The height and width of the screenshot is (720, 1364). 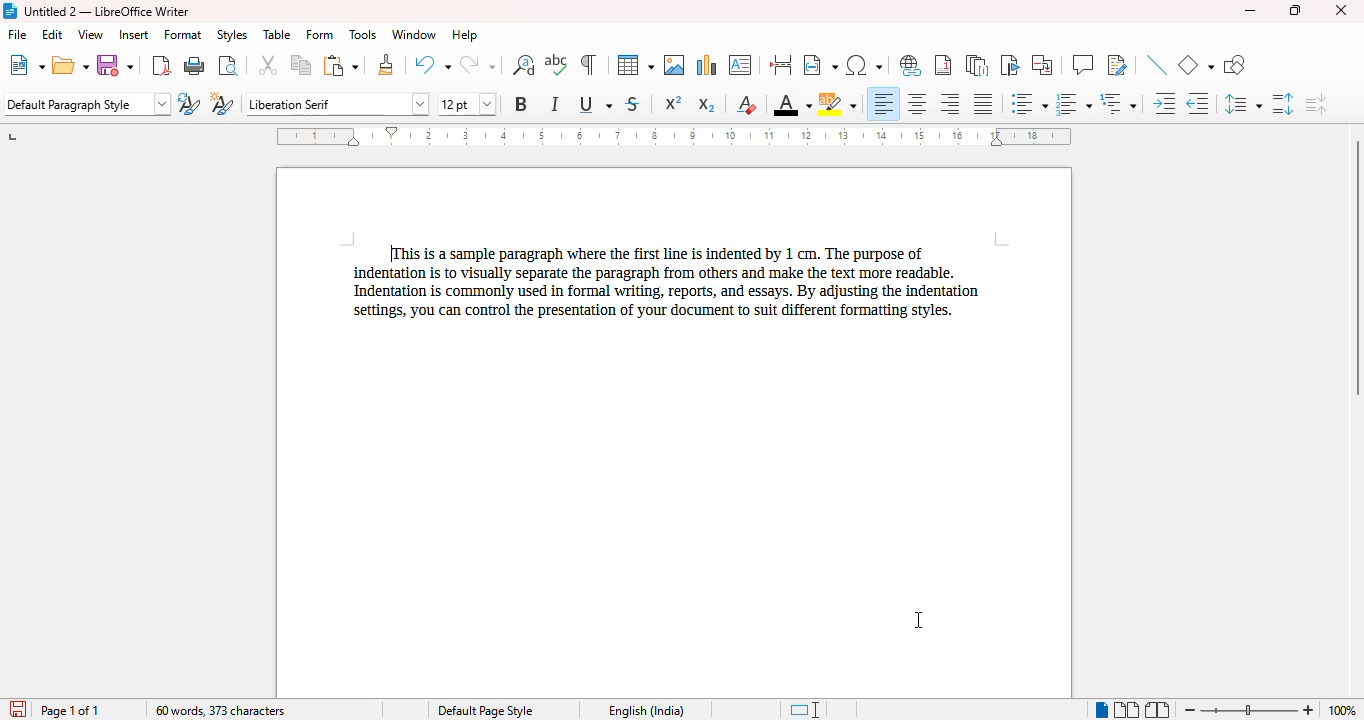 I want to click on table, so click(x=277, y=35).